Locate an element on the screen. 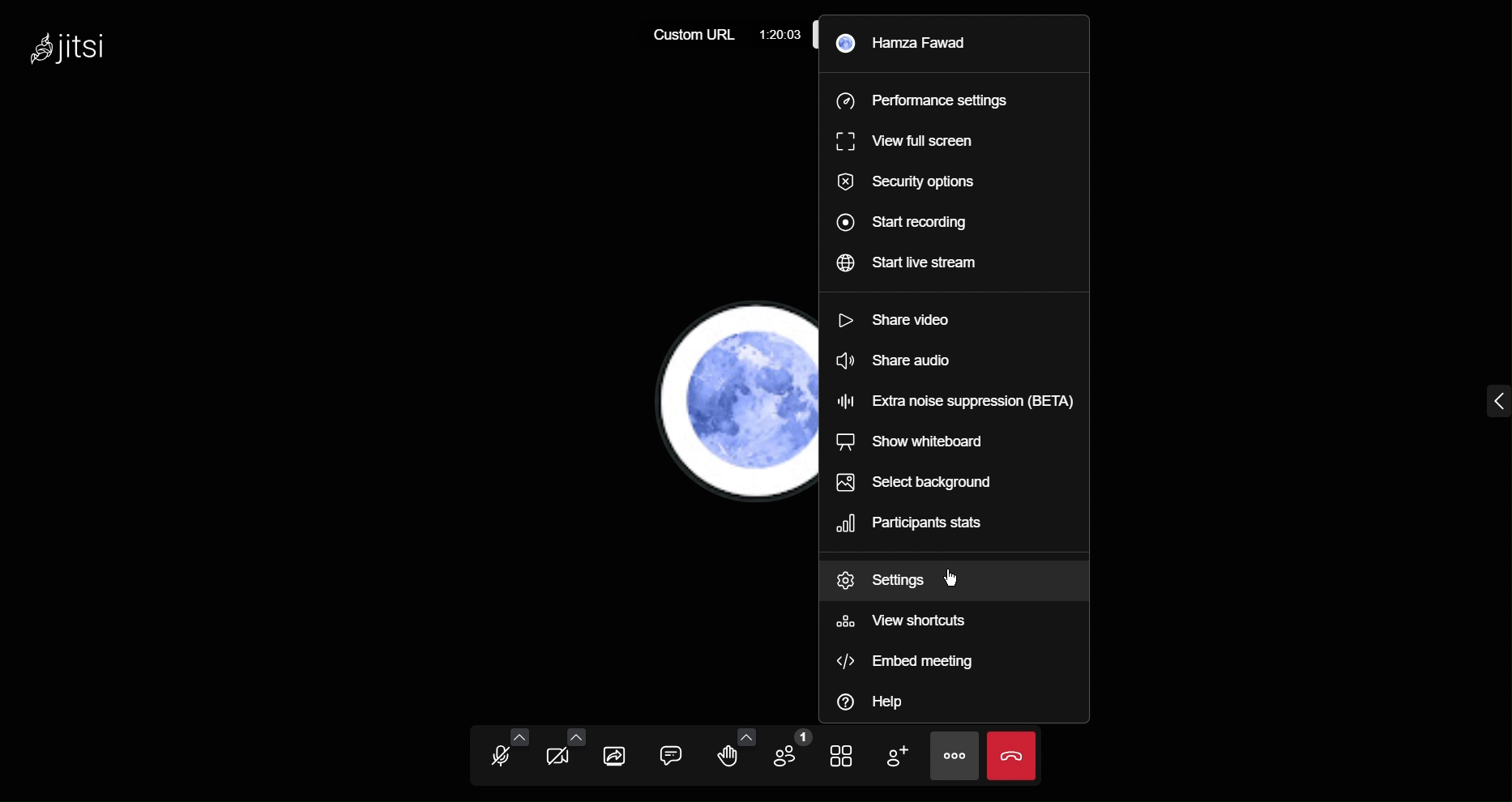  Show whiteboard is located at coordinates (912, 443).